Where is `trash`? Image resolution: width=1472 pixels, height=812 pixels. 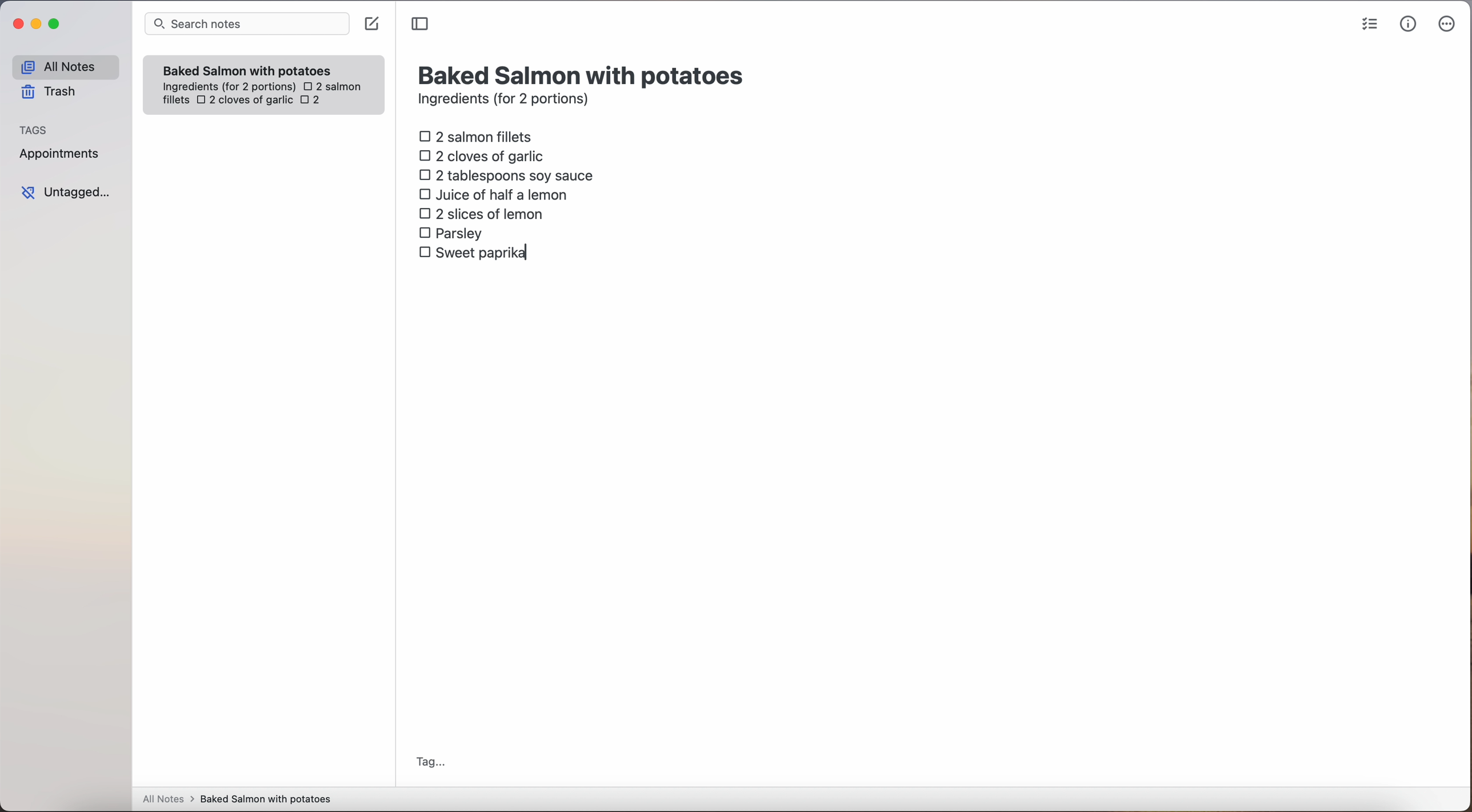
trash is located at coordinates (53, 92).